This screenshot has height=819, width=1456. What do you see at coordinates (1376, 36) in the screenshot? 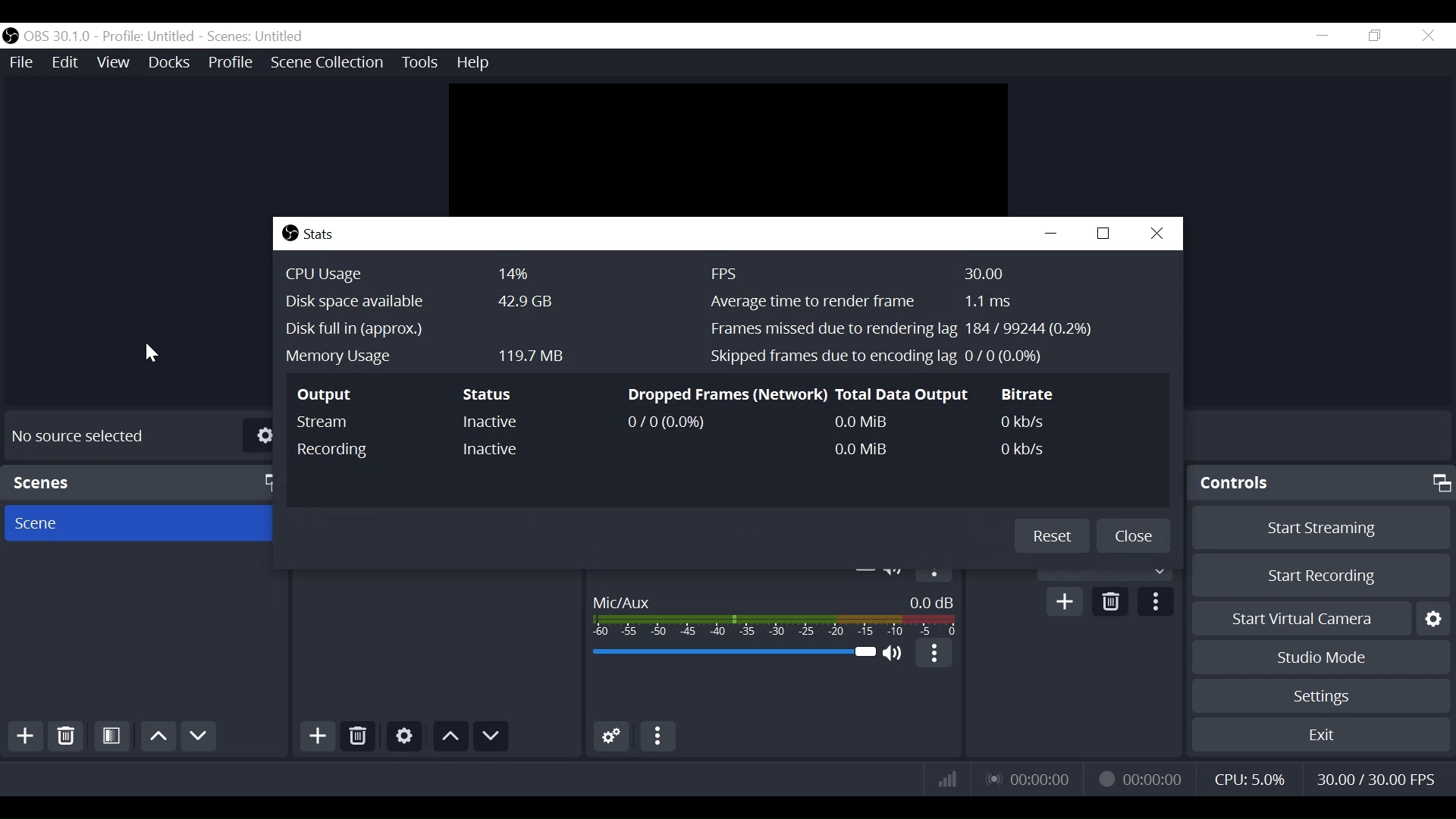
I see `Restore` at bounding box center [1376, 36].